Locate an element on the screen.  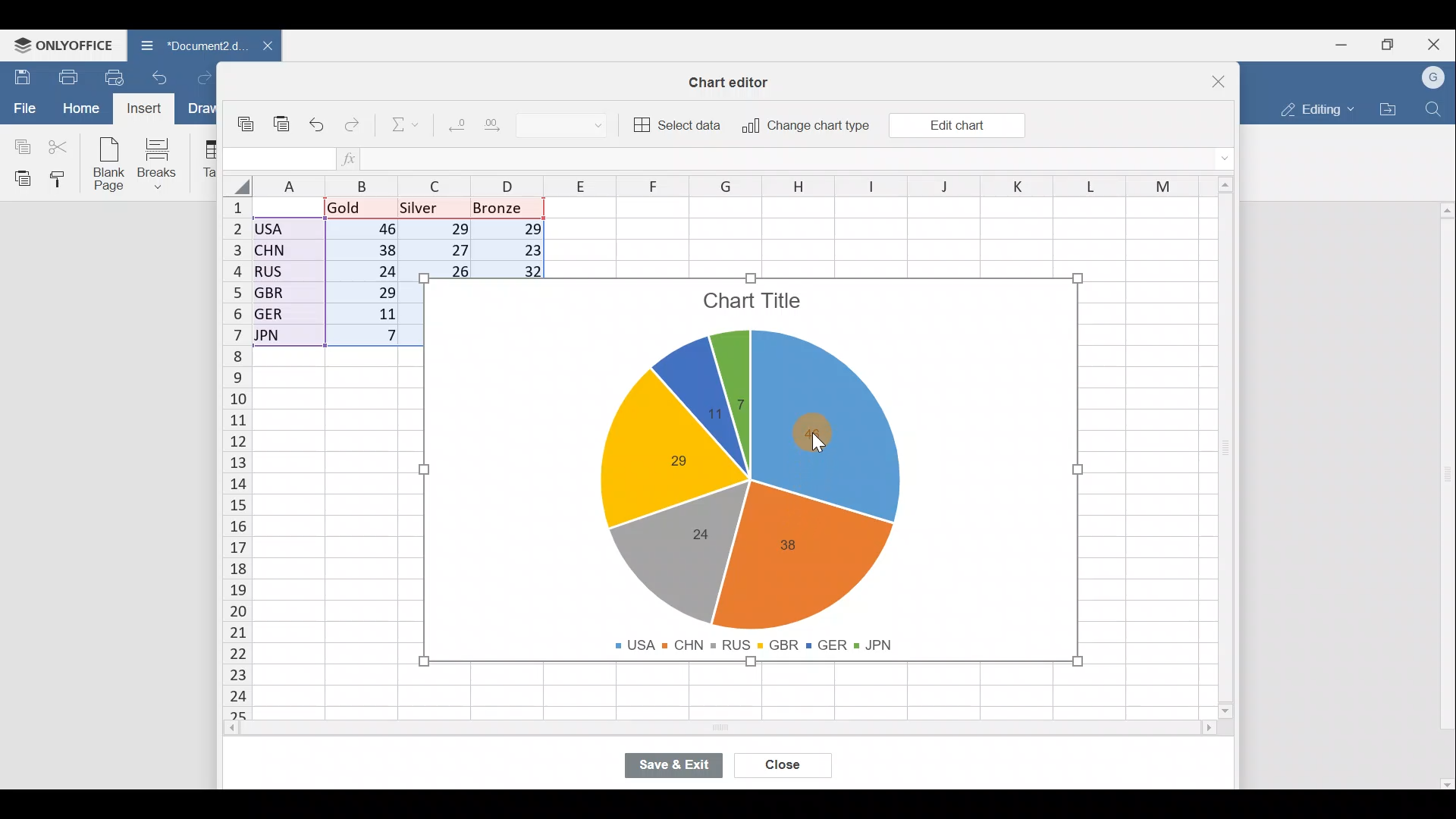
ONLYOFFICE Menu is located at coordinates (61, 45).